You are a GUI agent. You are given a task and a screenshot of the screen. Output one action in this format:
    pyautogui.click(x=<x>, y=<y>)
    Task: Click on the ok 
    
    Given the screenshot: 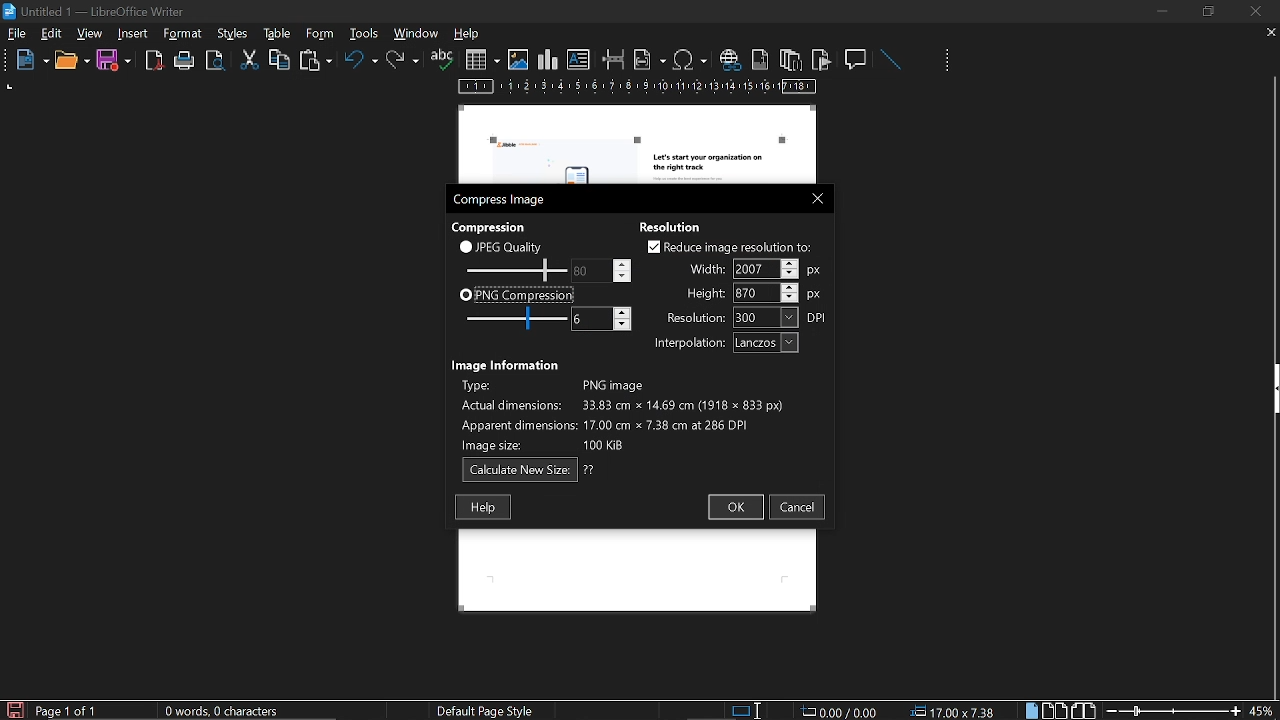 What is the action you would take?
    pyautogui.click(x=734, y=508)
    